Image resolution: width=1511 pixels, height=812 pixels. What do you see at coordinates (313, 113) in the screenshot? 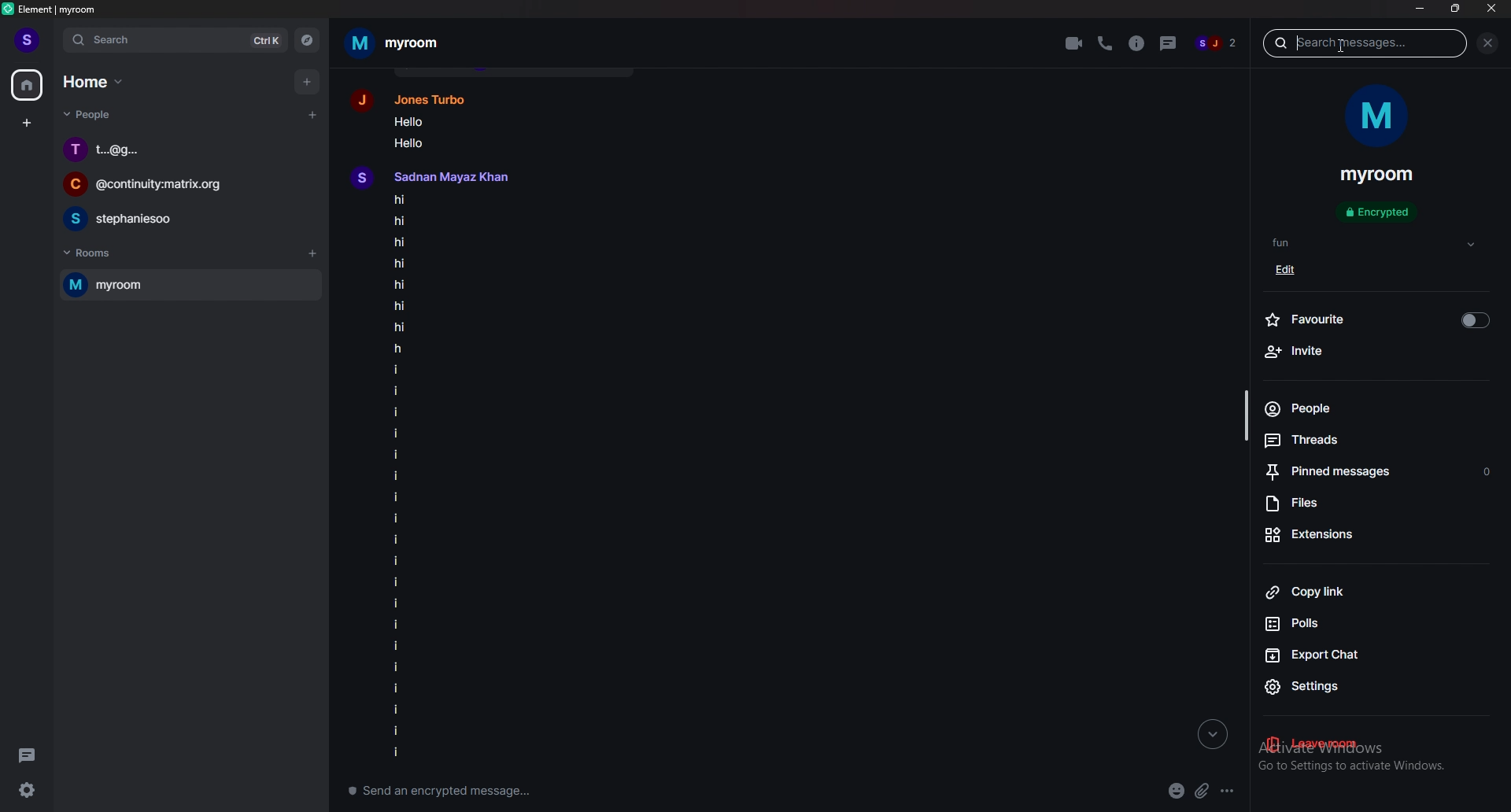
I see `start chat` at bounding box center [313, 113].